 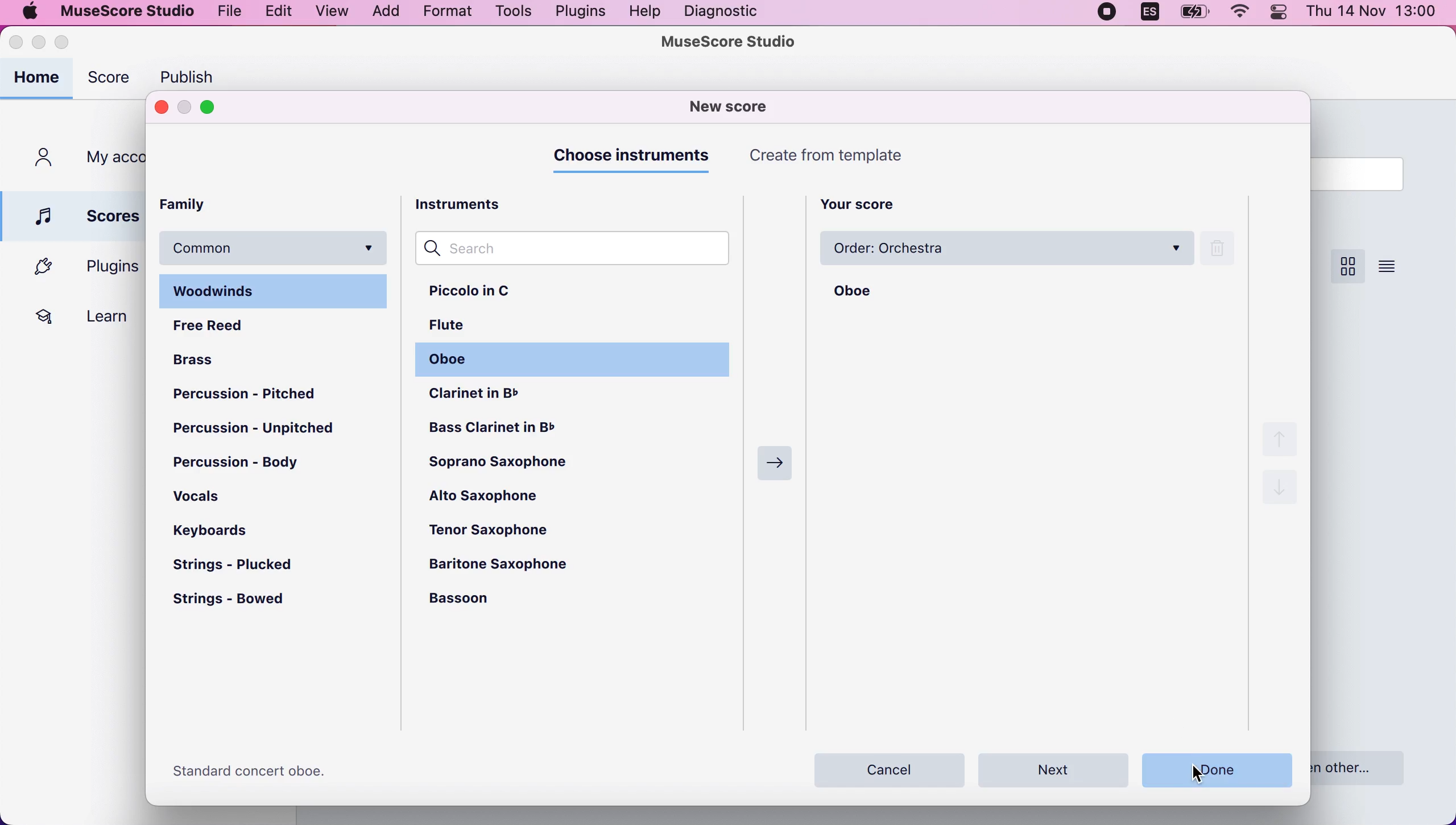 What do you see at coordinates (200, 495) in the screenshot?
I see `vocals` at bounding box center [200, 495].